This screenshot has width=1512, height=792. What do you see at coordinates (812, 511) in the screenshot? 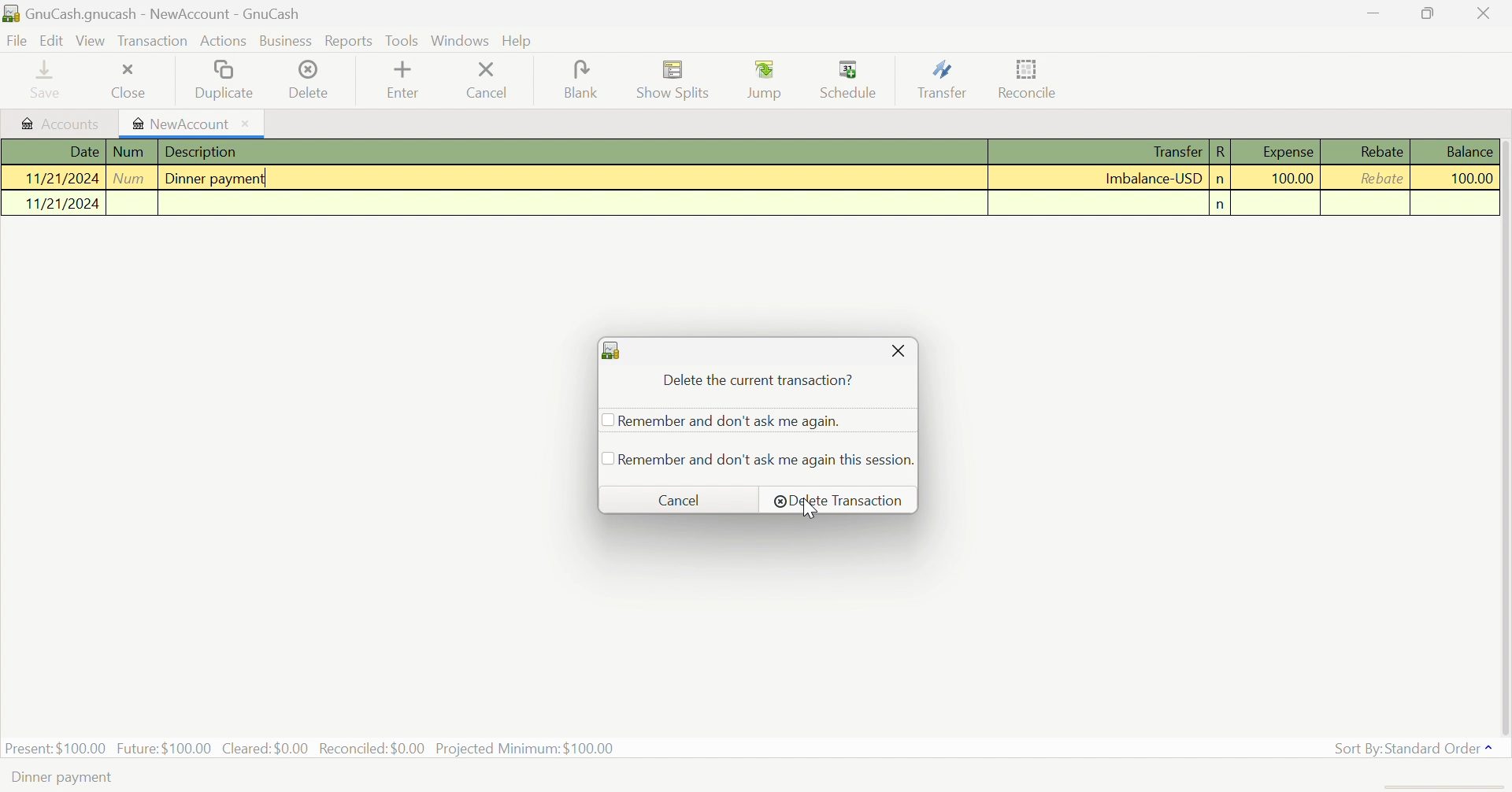
I see `cursor` at bounding box center [812, 511].